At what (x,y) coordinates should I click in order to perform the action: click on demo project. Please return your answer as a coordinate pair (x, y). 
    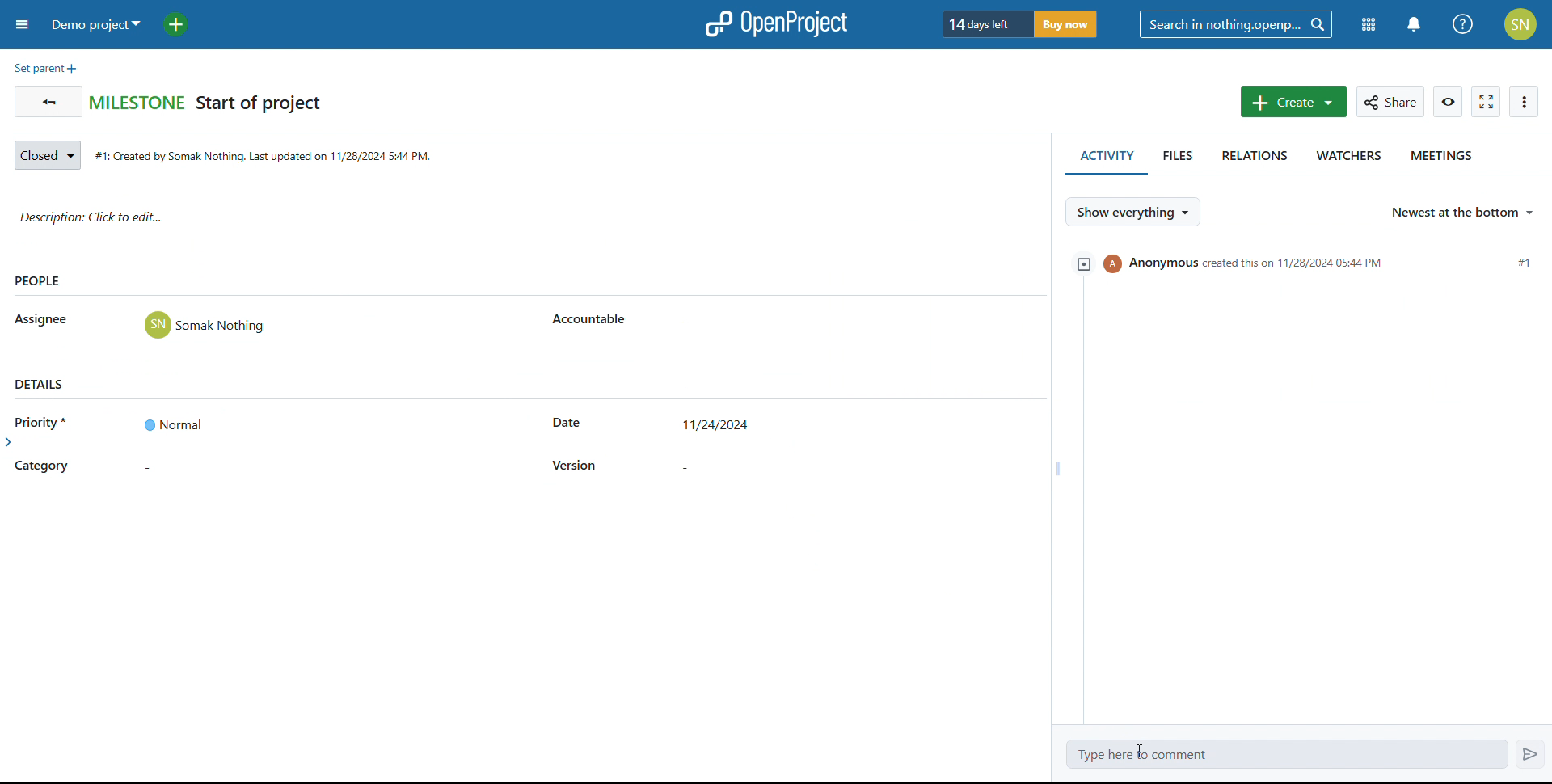
    Looking at the image, I should click on (97, 24).